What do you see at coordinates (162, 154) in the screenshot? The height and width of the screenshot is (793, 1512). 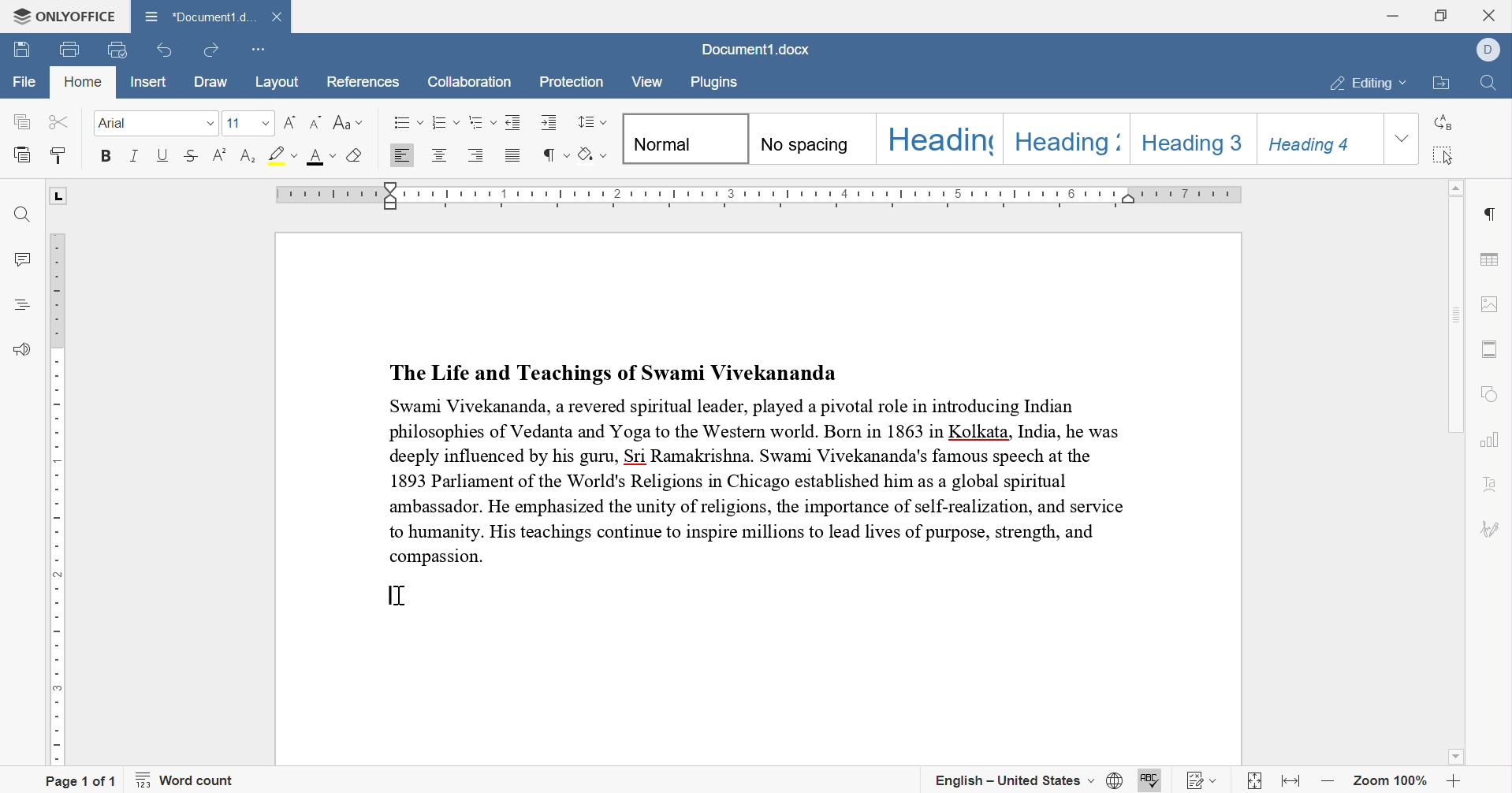 I see `underline` at bounding box center [162, 154].